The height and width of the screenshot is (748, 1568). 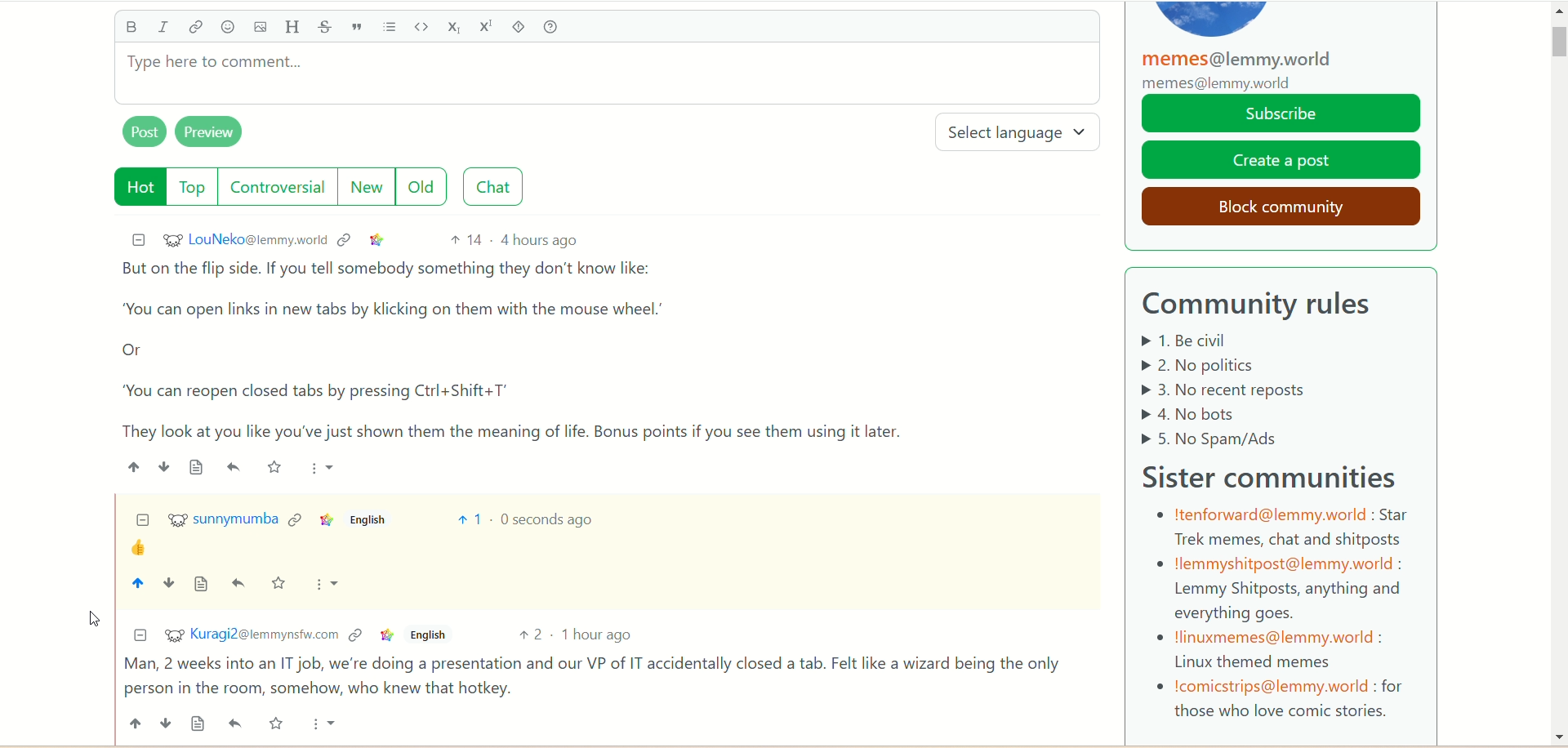 What do you see at coordinates (139, 723) in the screenshot?
I see `up vote` at bounding box center [139, 723].